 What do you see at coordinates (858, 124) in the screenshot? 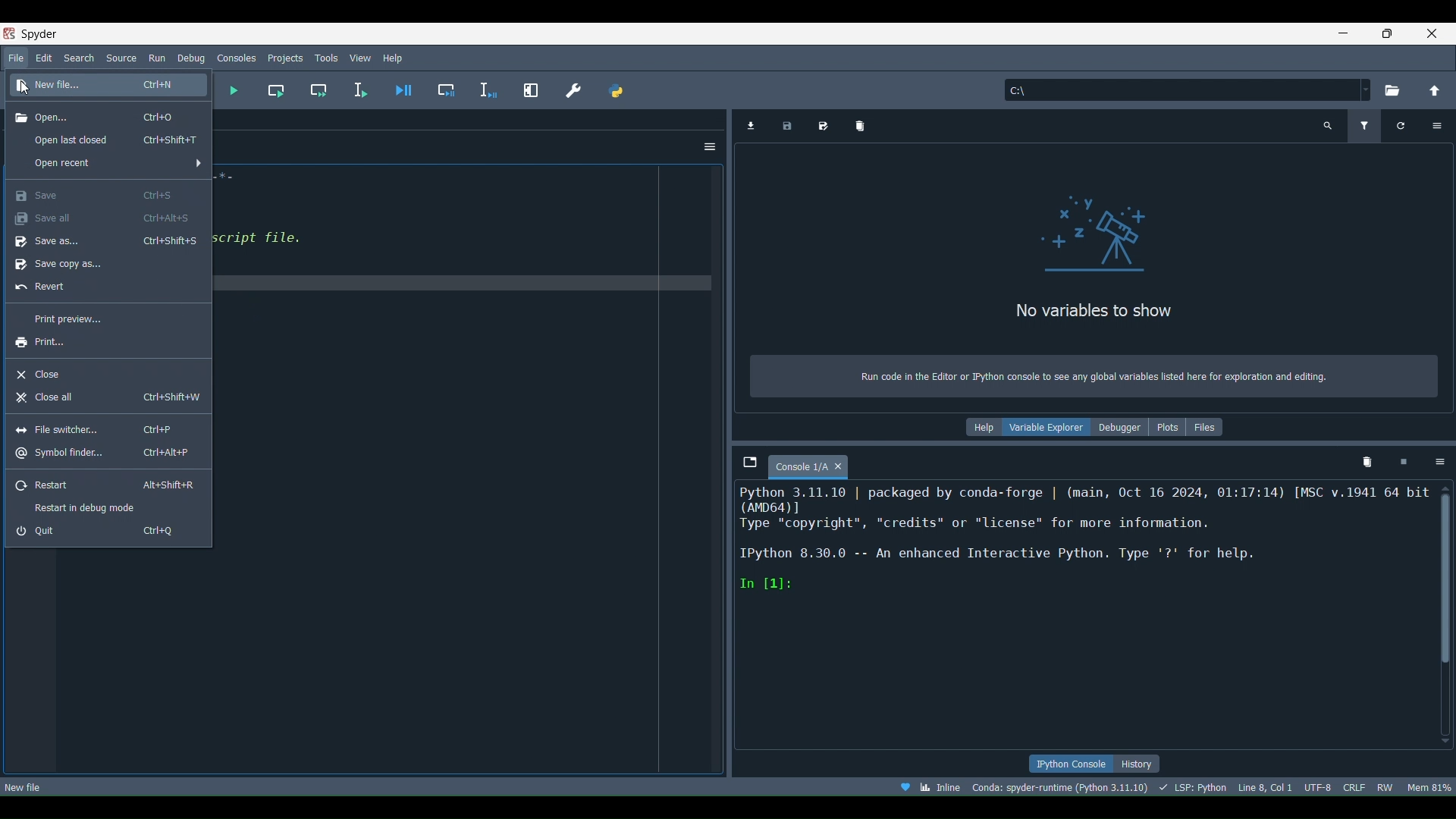
I see `Remove all variables` at bounding box center [858, 124].